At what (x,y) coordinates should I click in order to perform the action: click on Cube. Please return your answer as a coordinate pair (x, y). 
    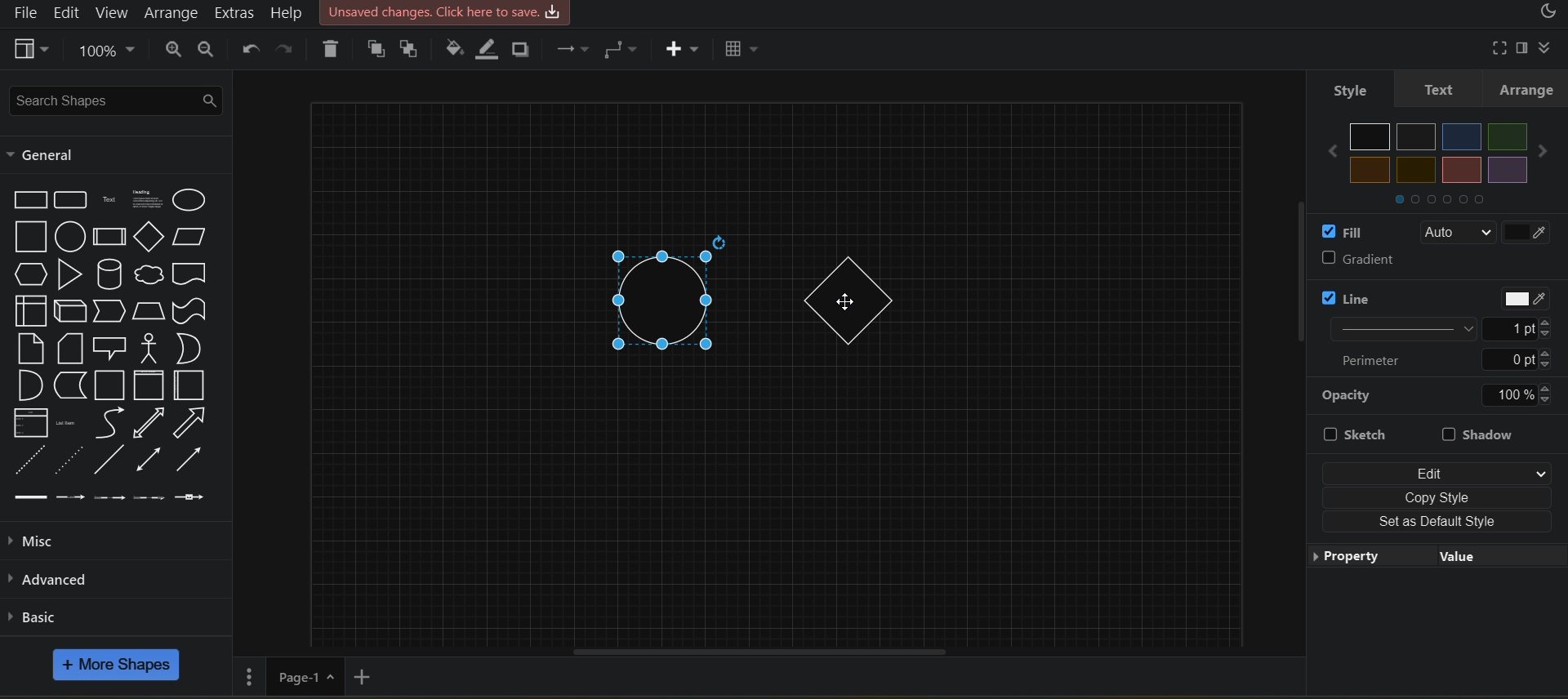
    Looking at the image, I should click on (70, 311).